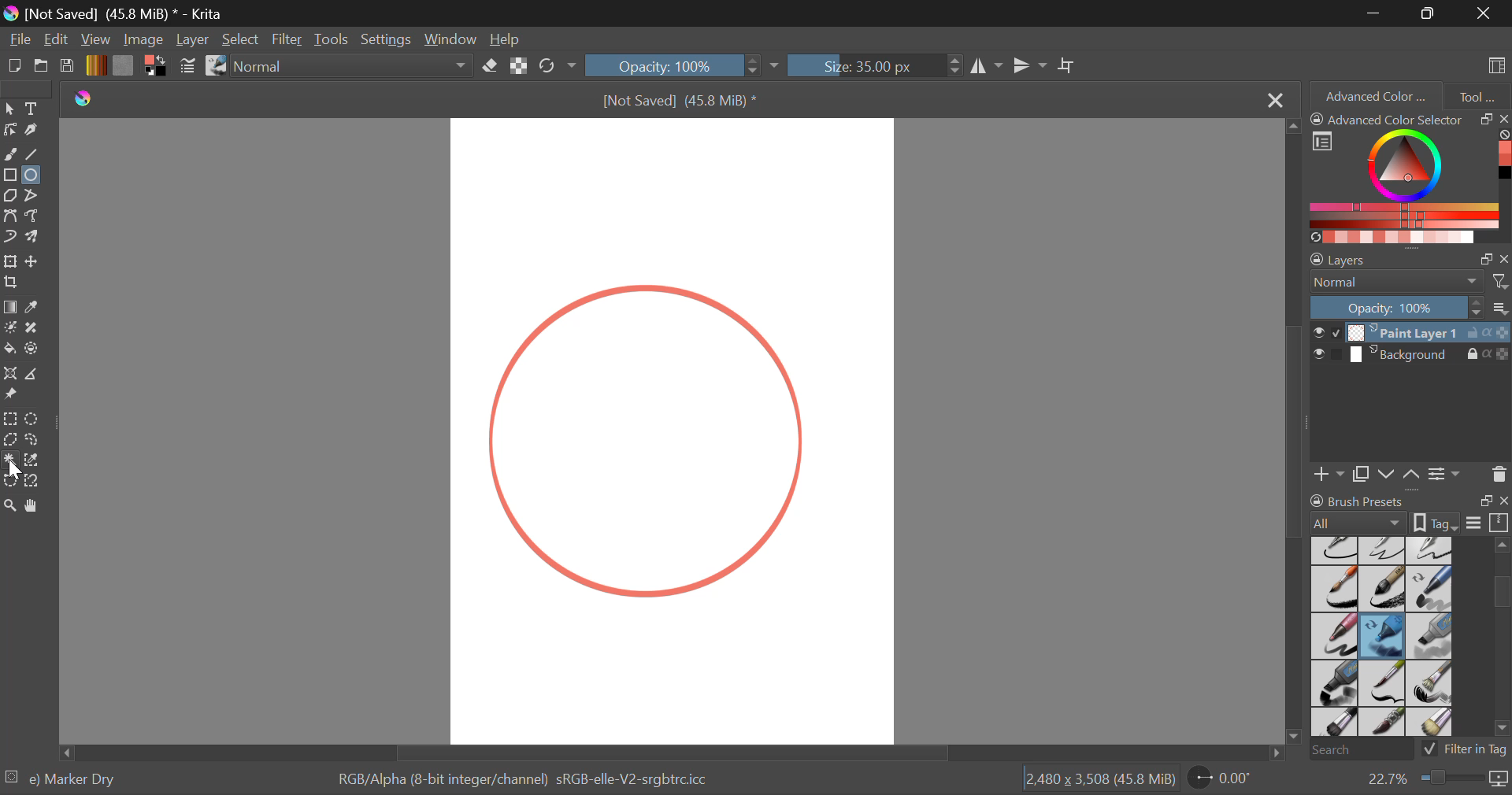 The height and width of the screenshot is (795, 1512). Describe the element at coordinates (98, 40) in the screenshot. I see `View` at that location.